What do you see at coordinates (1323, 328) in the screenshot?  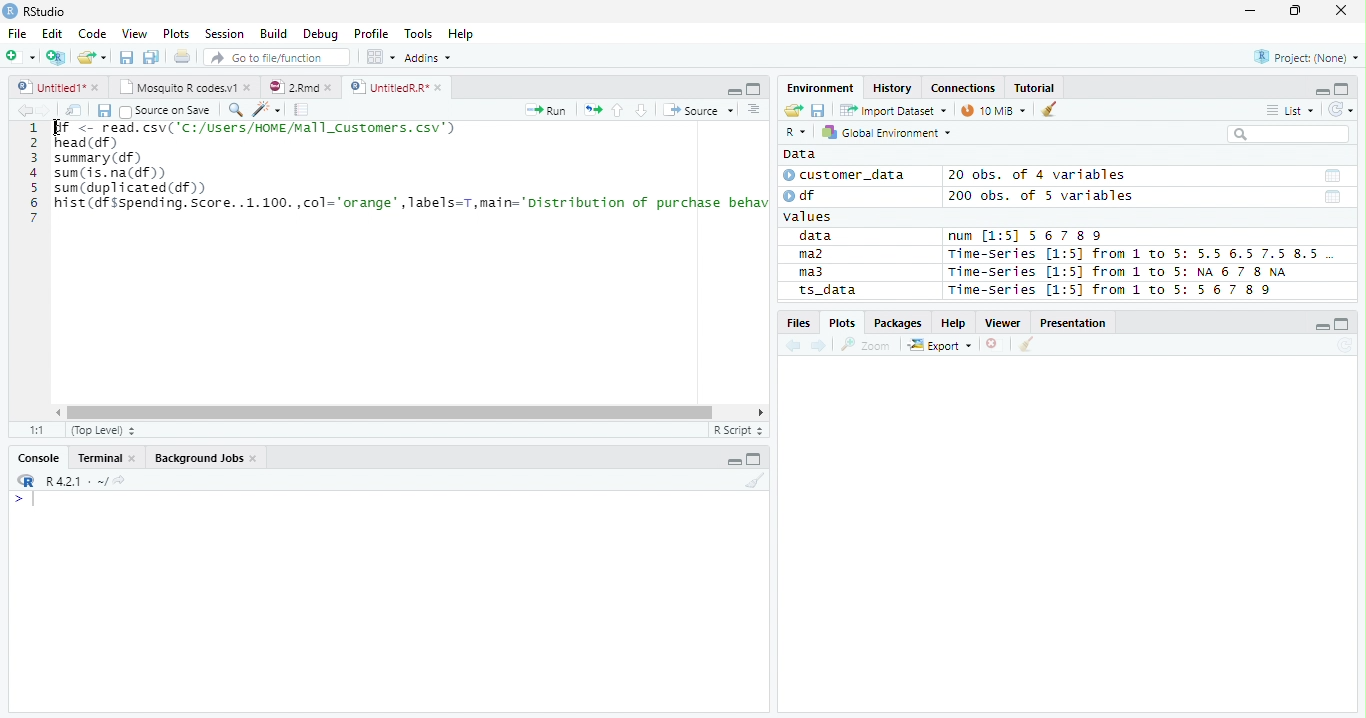 I see `Minimize` at bounding box center [1323, 328].